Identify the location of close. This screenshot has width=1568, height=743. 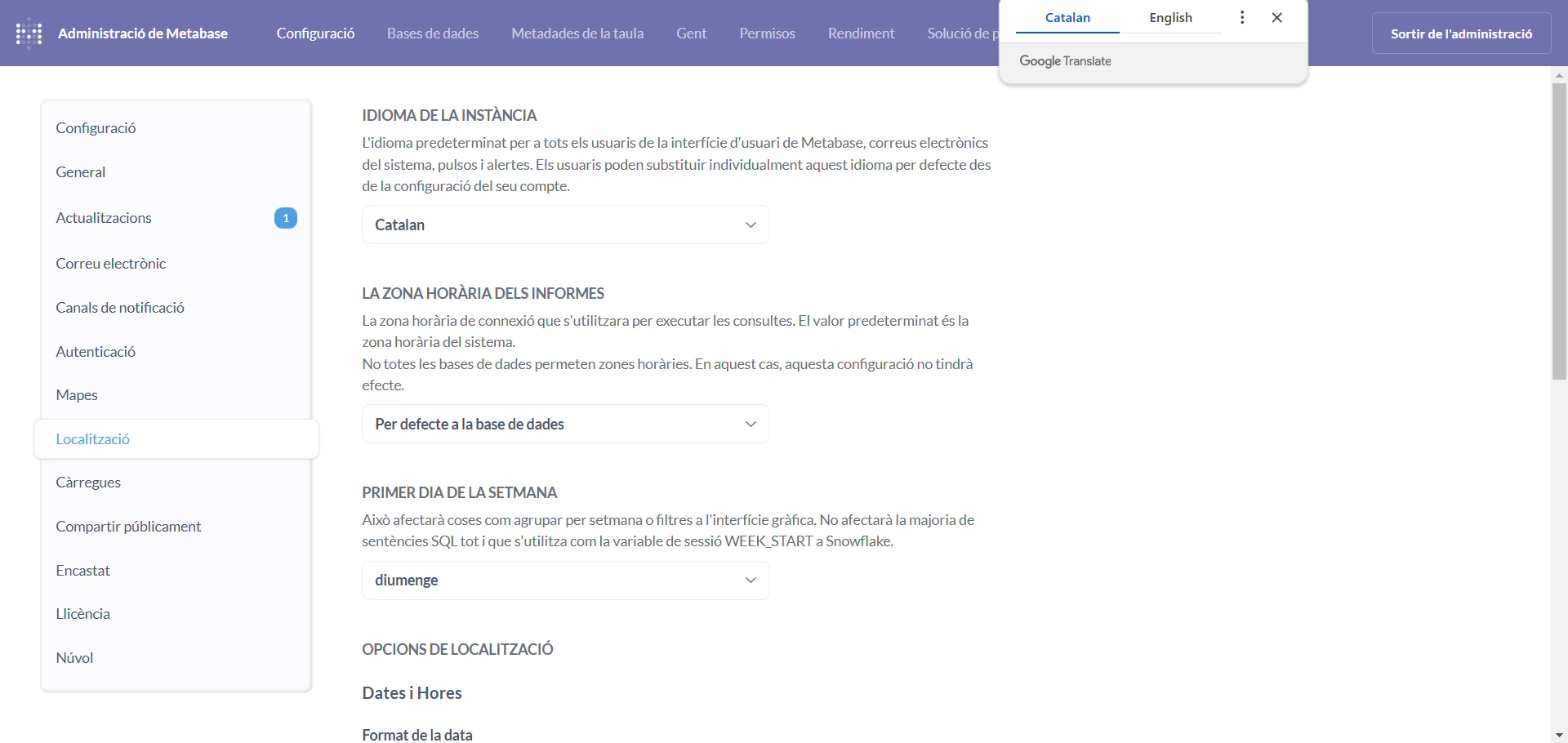
(1280, 17).